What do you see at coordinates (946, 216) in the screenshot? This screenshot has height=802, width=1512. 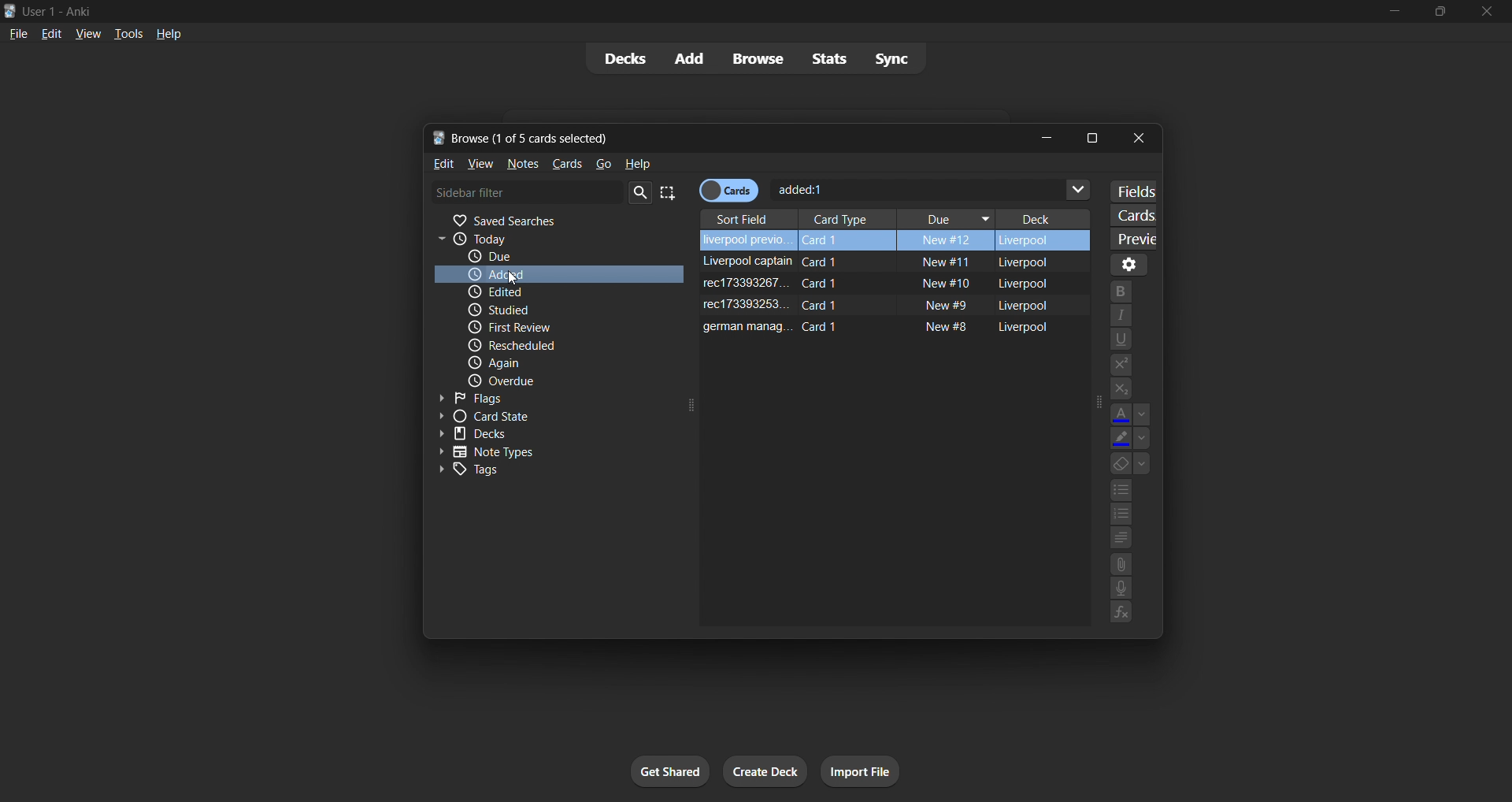 I see `due column` at bounding box center [946, 216].